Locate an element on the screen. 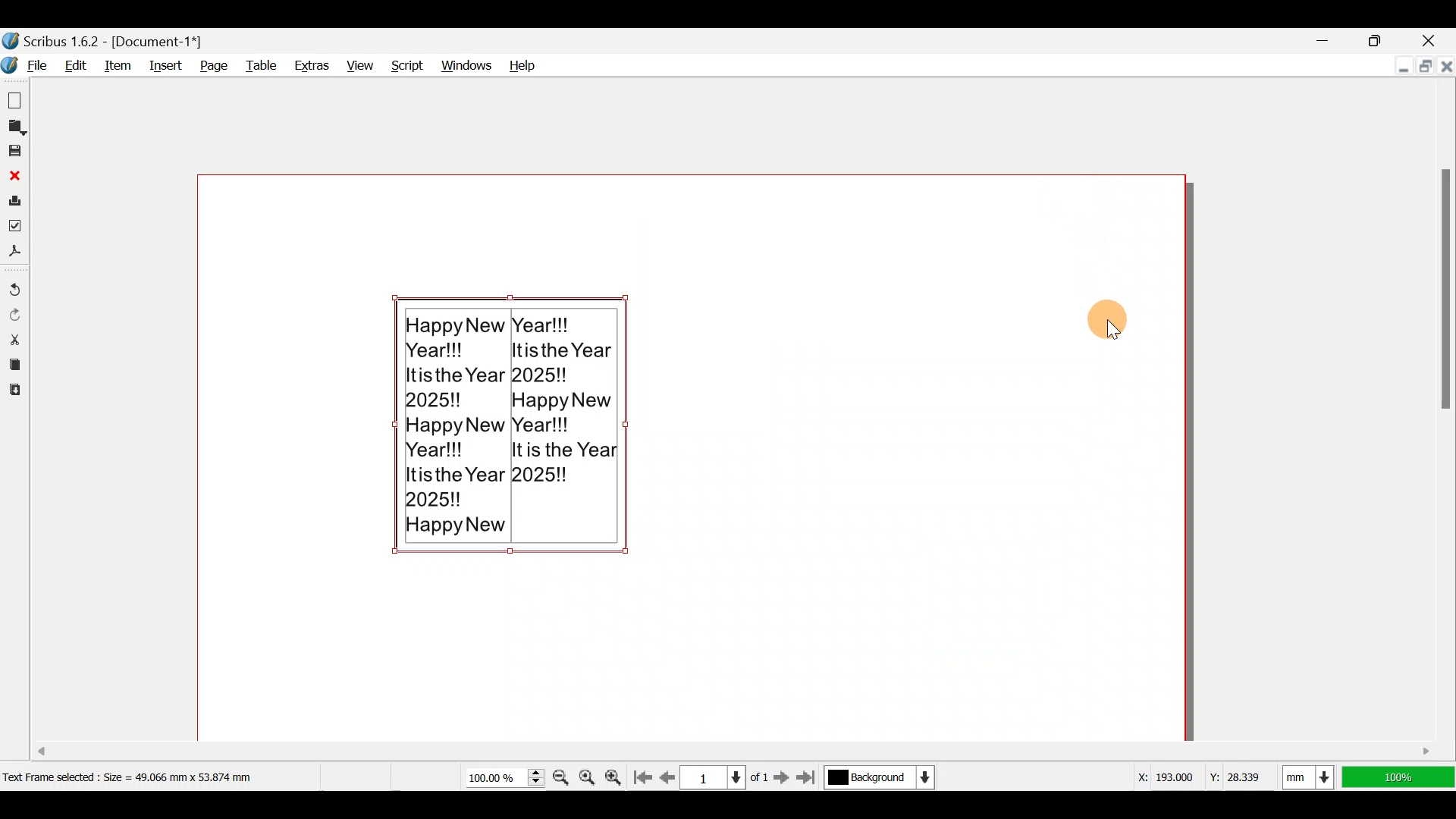 The height and width of the screenshot is (819, 1456). Go to previous page is located at coordinates (668, 774).